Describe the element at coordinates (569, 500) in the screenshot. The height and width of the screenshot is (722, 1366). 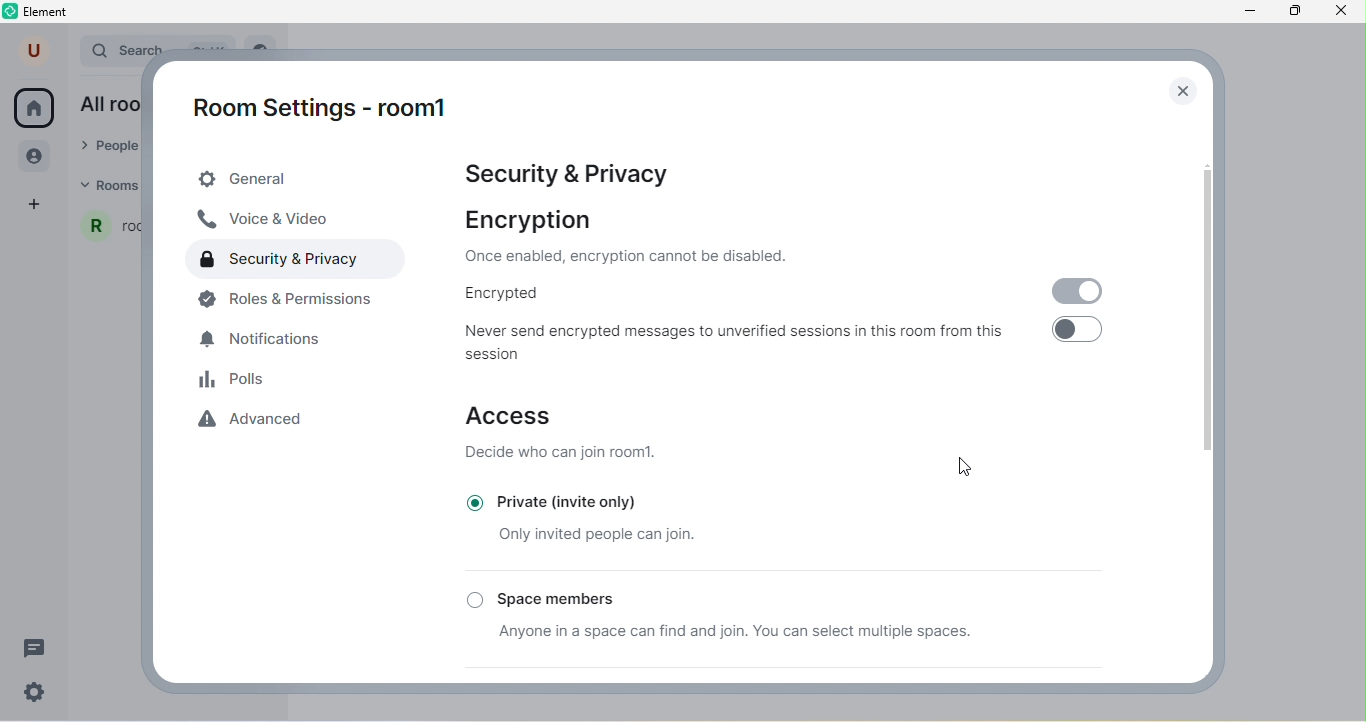
I see `private` at that location.